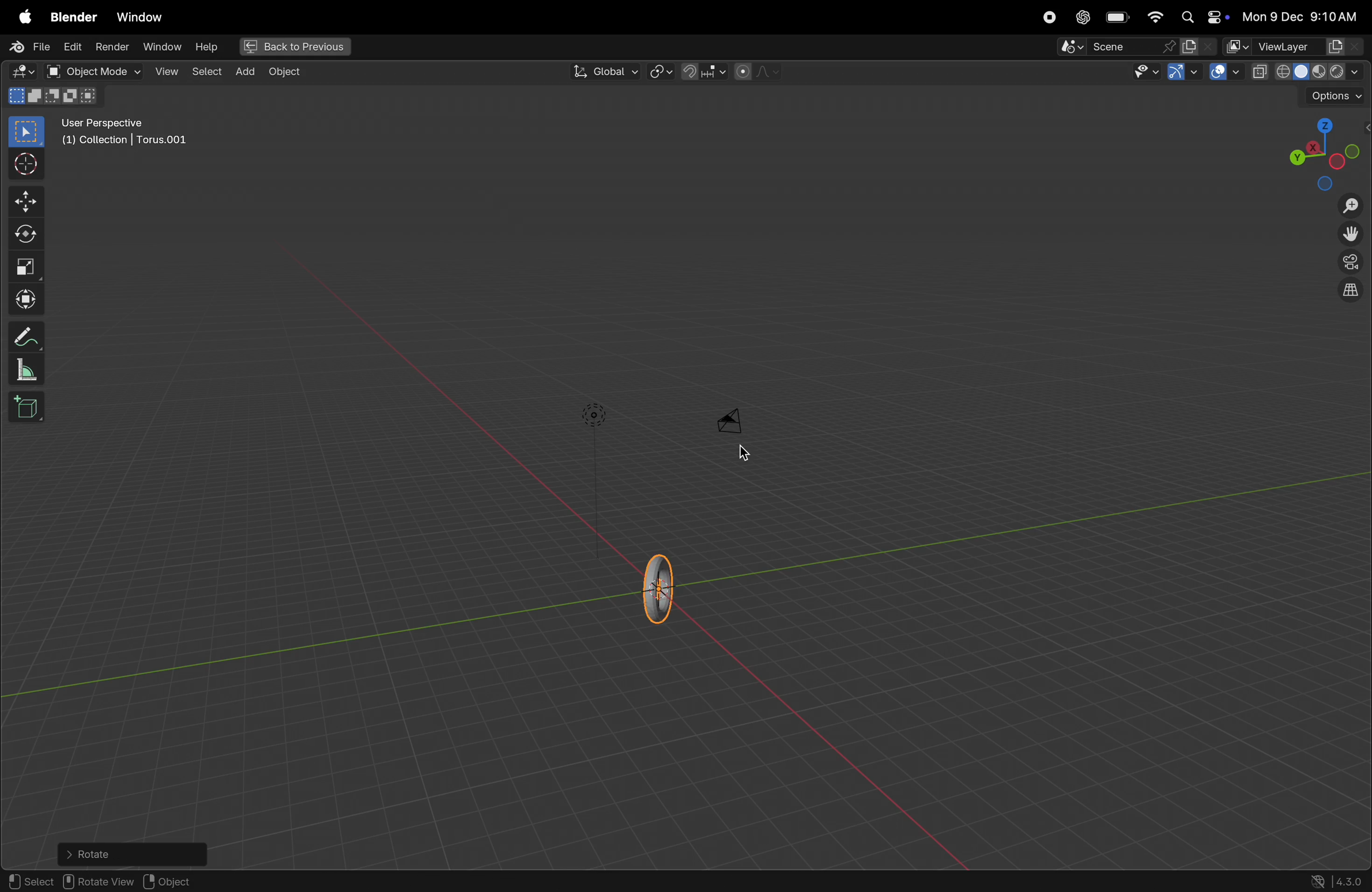  I want to click on move , so click(28, 201).